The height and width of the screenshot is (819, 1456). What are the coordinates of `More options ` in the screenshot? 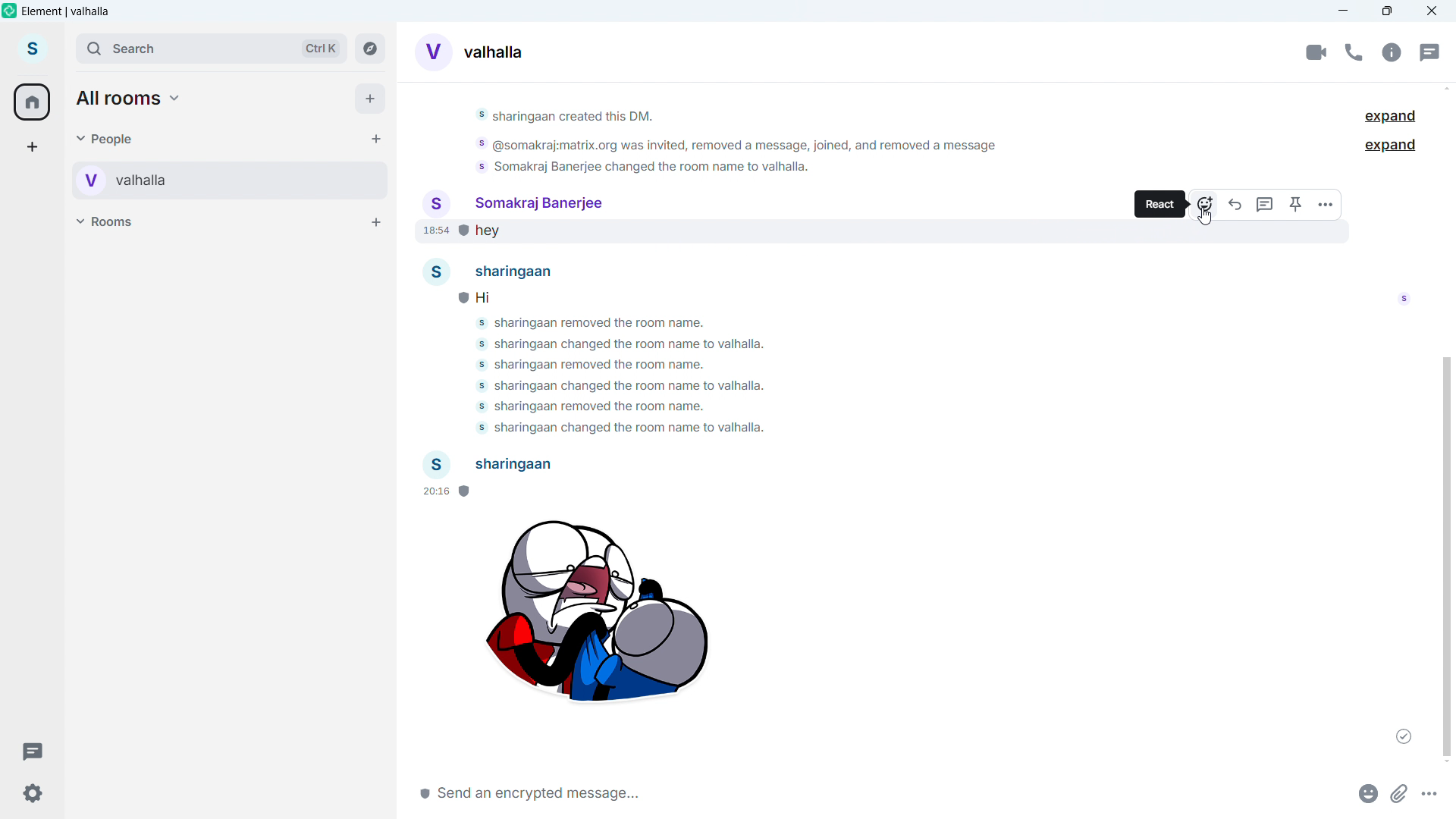 It's located at (1326, 204).